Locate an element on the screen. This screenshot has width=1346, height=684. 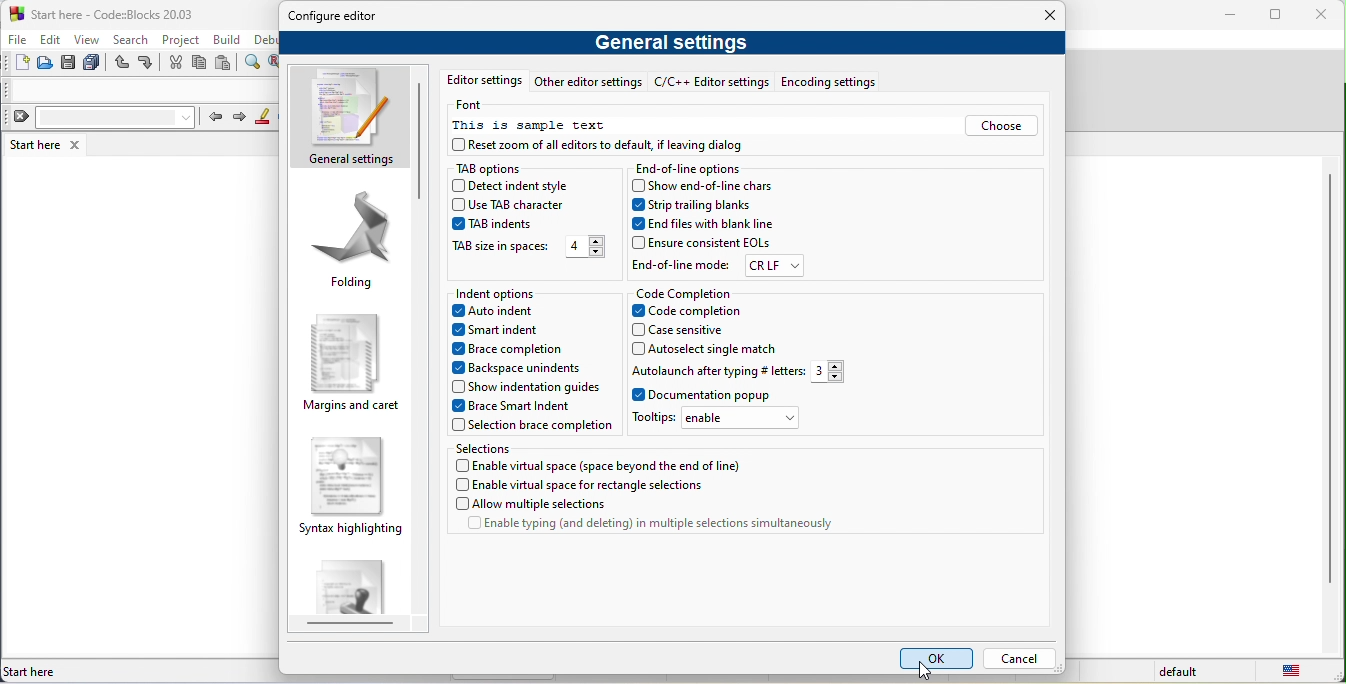
find is located at coordinates (254, 67).